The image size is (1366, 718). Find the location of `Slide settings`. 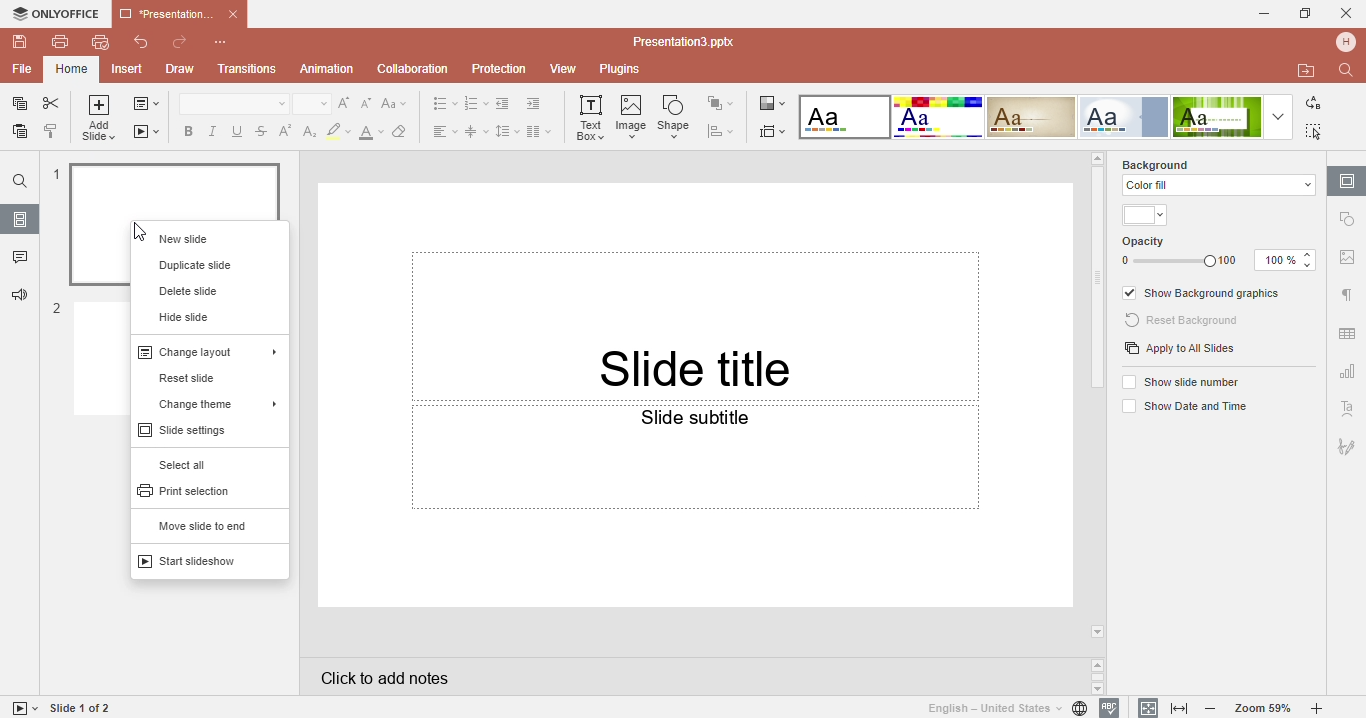

Slide settings is located at coordinates (1347, 180).